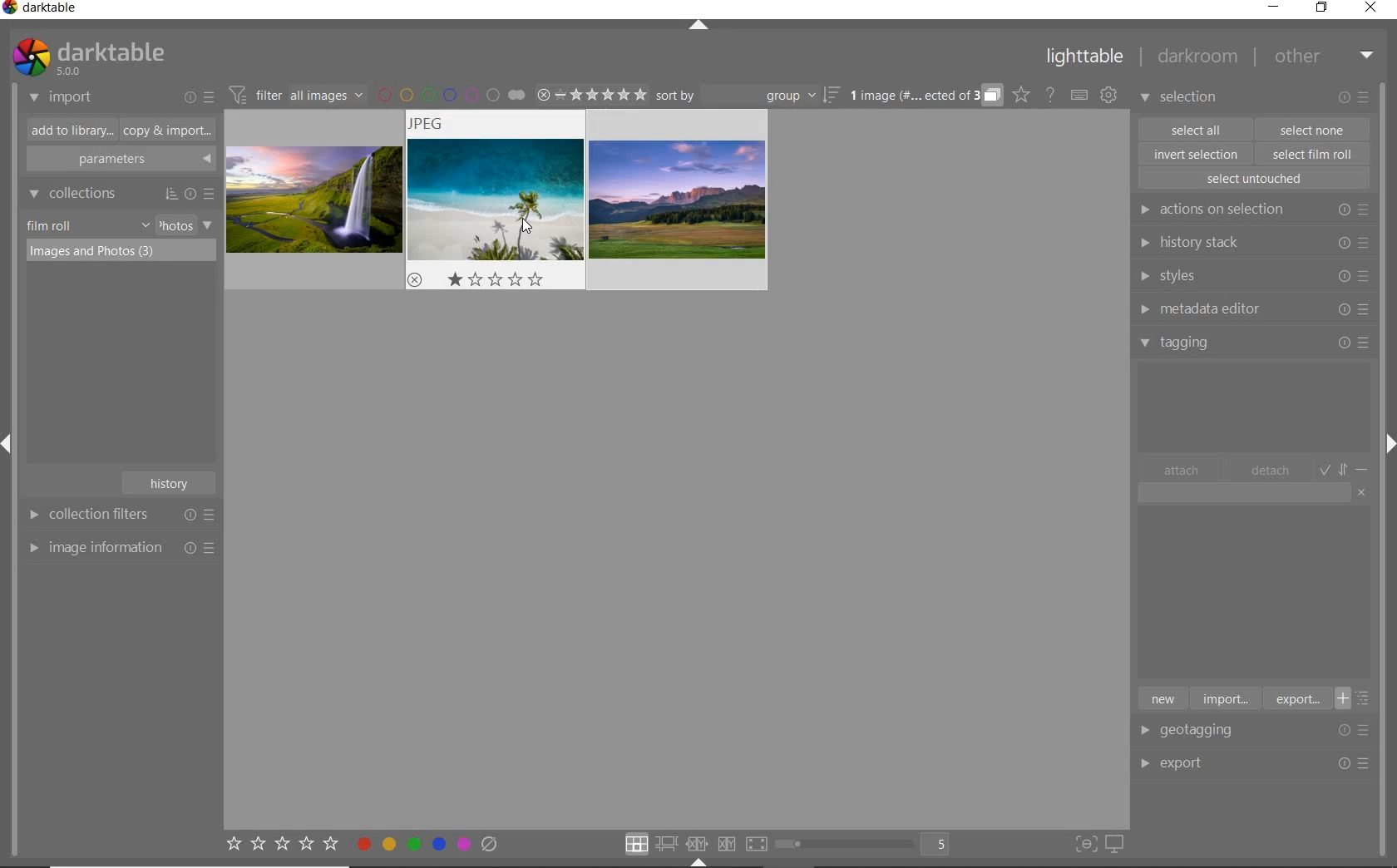 The image size is (1397, 868). I want to click on set keyboard shortcut, so click(1079, 96).